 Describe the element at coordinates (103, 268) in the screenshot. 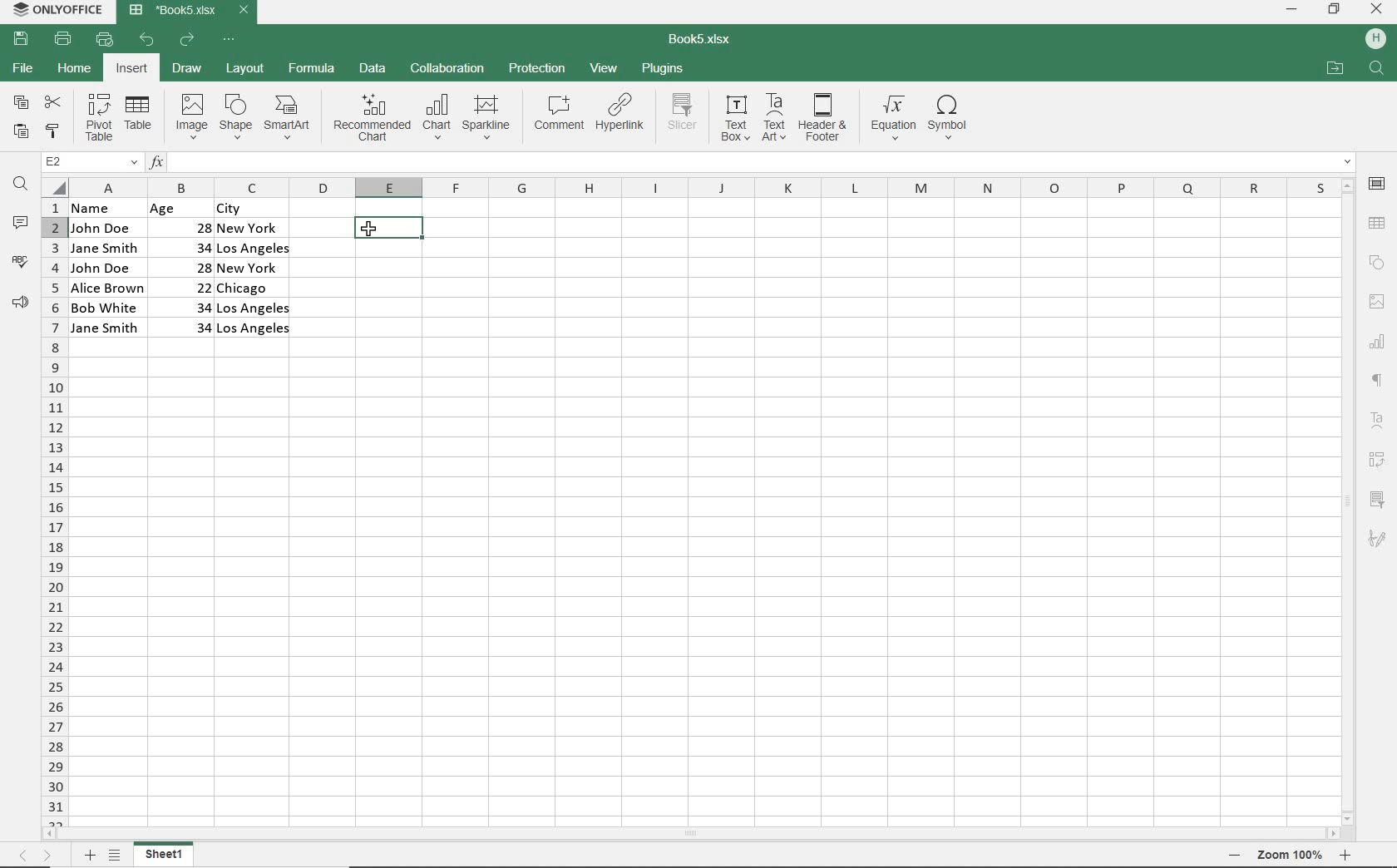

I see `John Doe` at that location.